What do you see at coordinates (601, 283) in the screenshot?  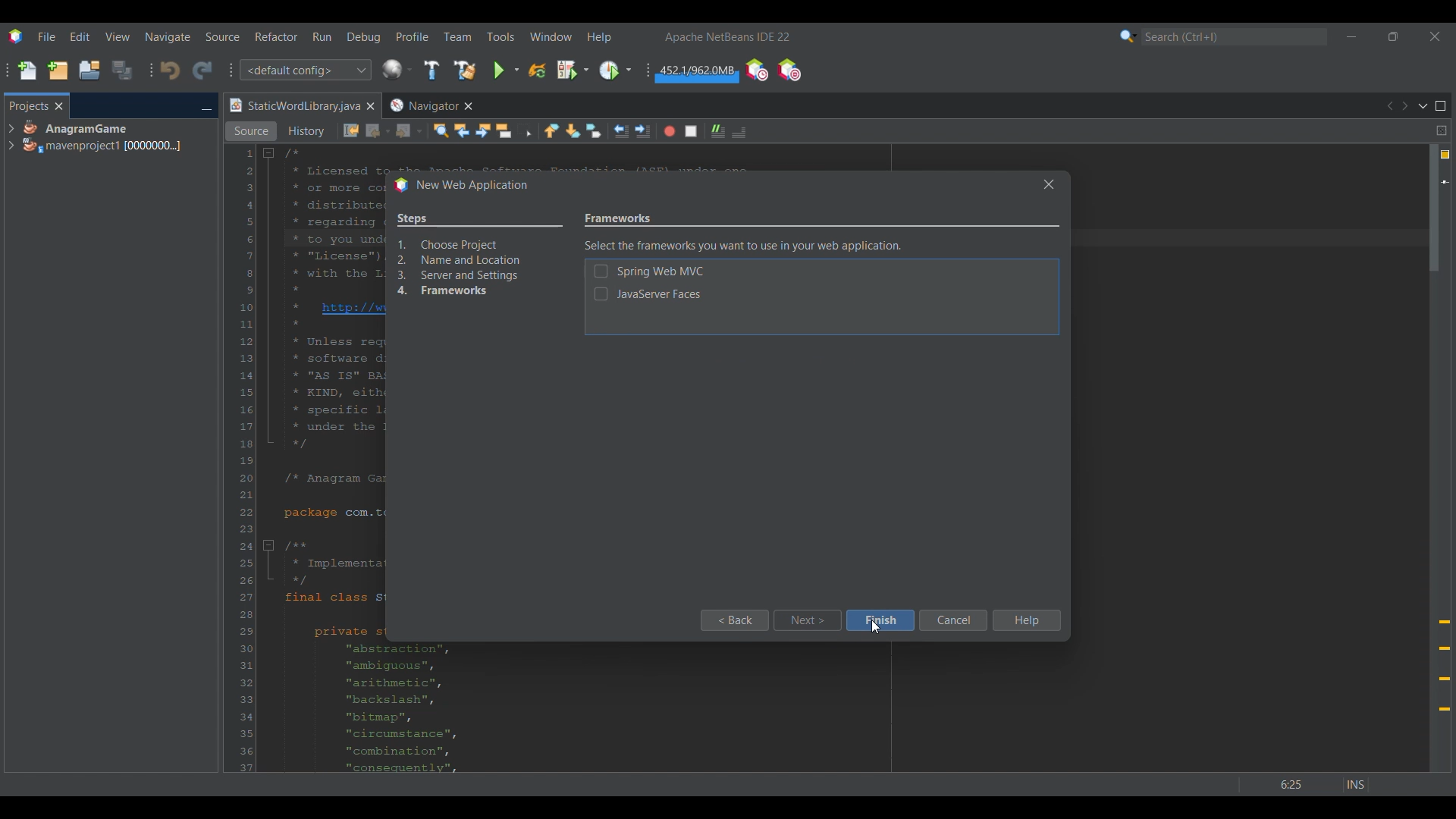 I see `Indicates toggle on/off` at bounding box center [601, 283].